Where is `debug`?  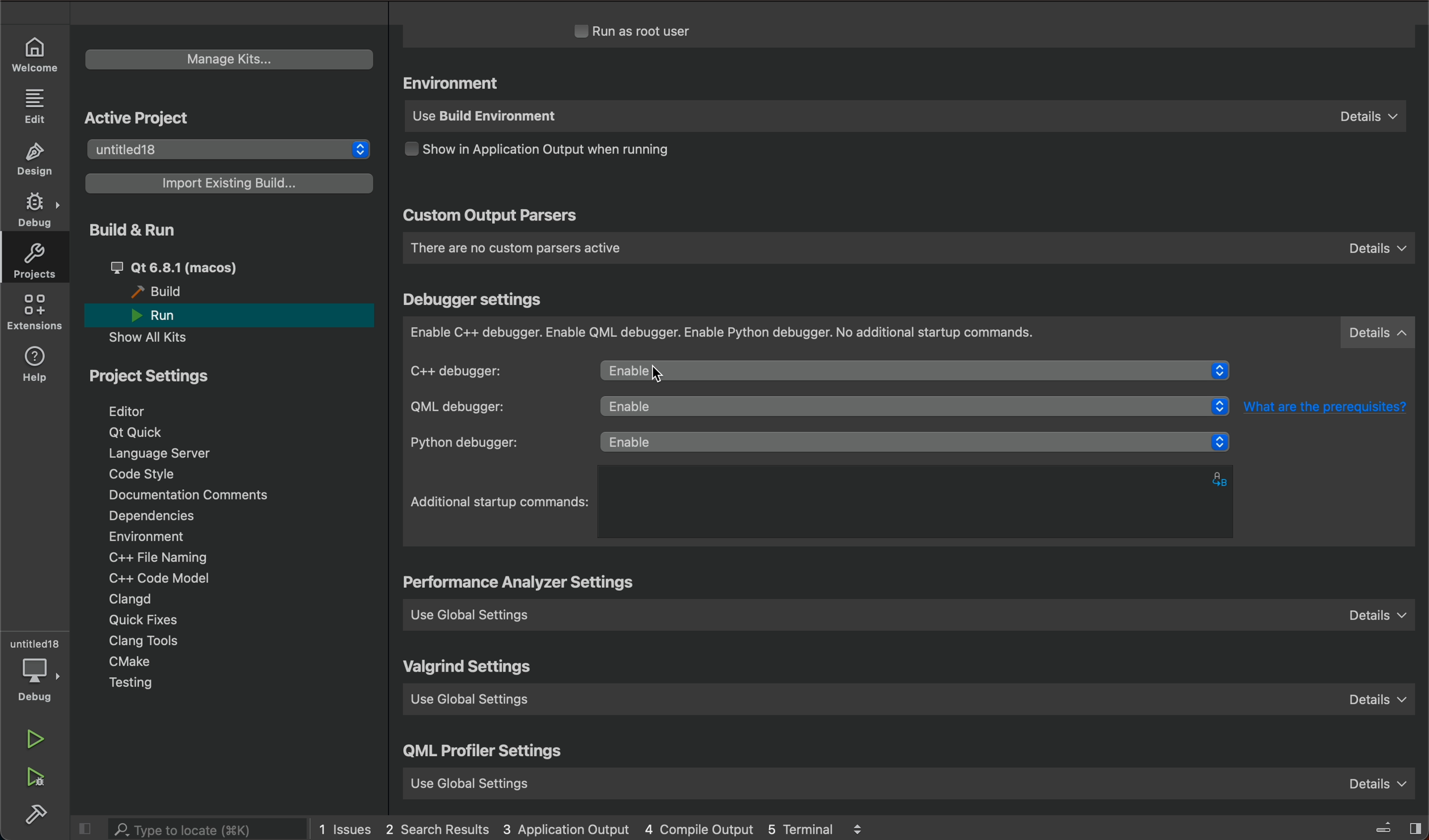 debug is located at coordinates (40, 680).